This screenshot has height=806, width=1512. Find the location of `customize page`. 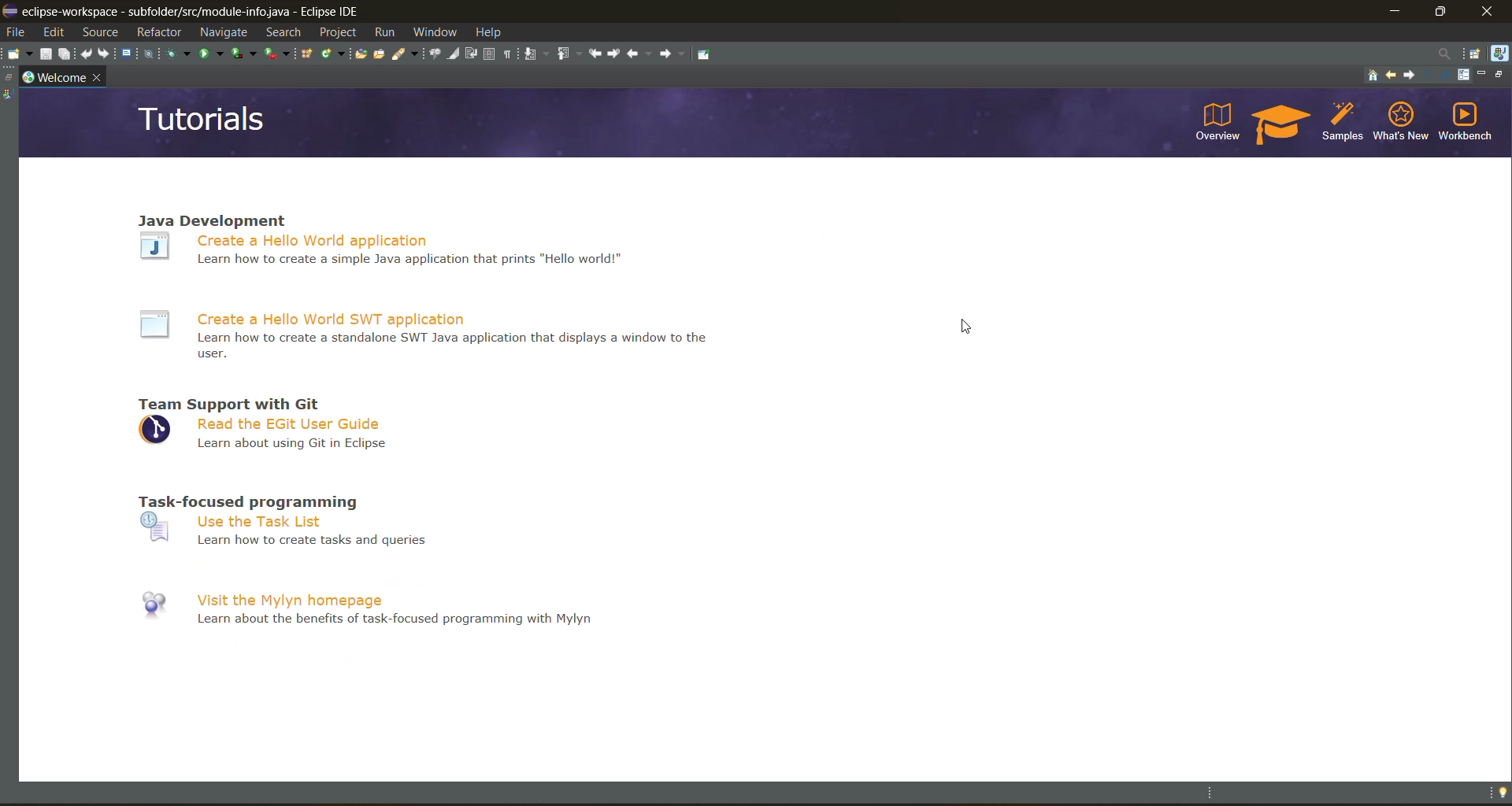

customize page is located at coordinates (1463, 77).